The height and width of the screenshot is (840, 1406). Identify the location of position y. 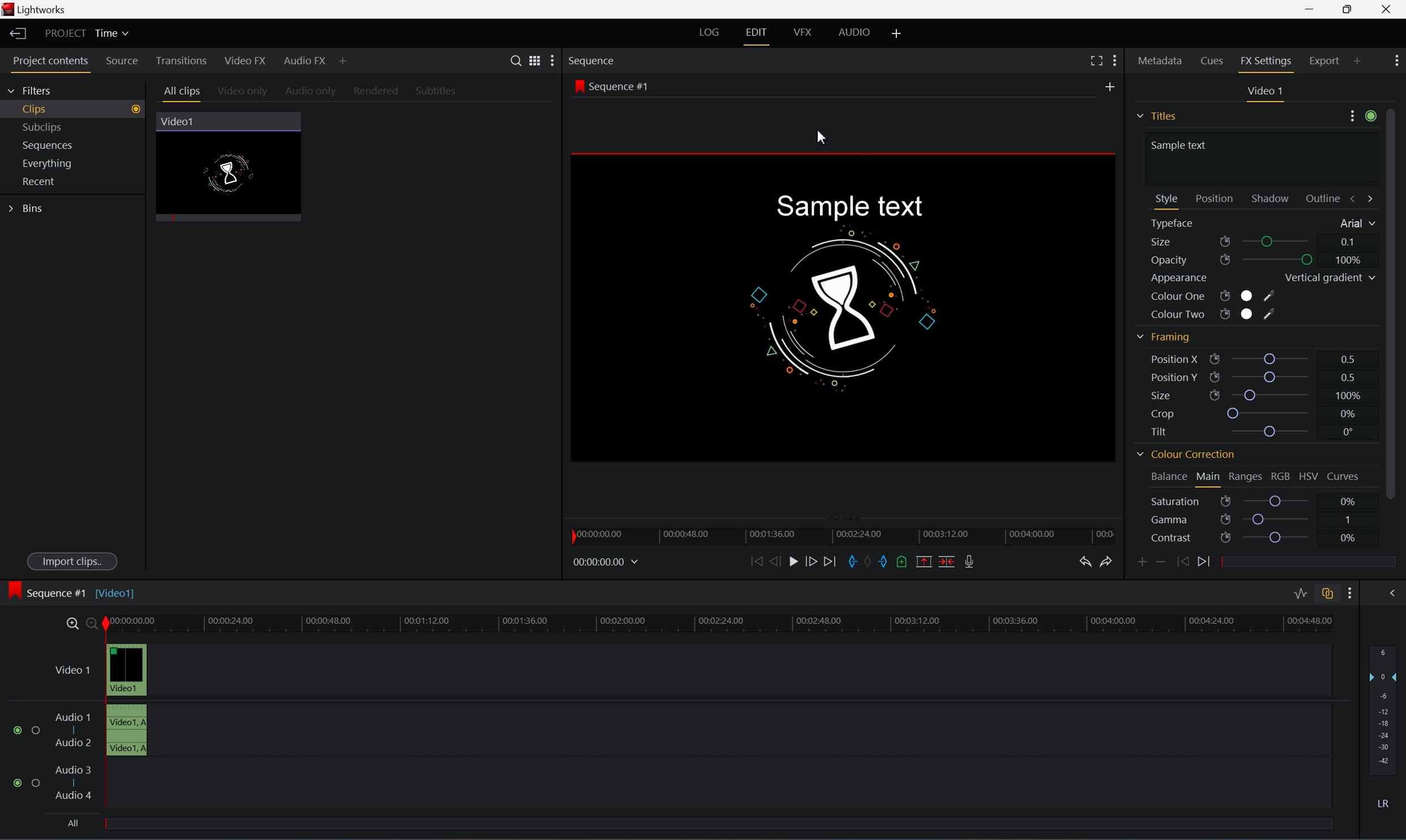
(1180, 377).